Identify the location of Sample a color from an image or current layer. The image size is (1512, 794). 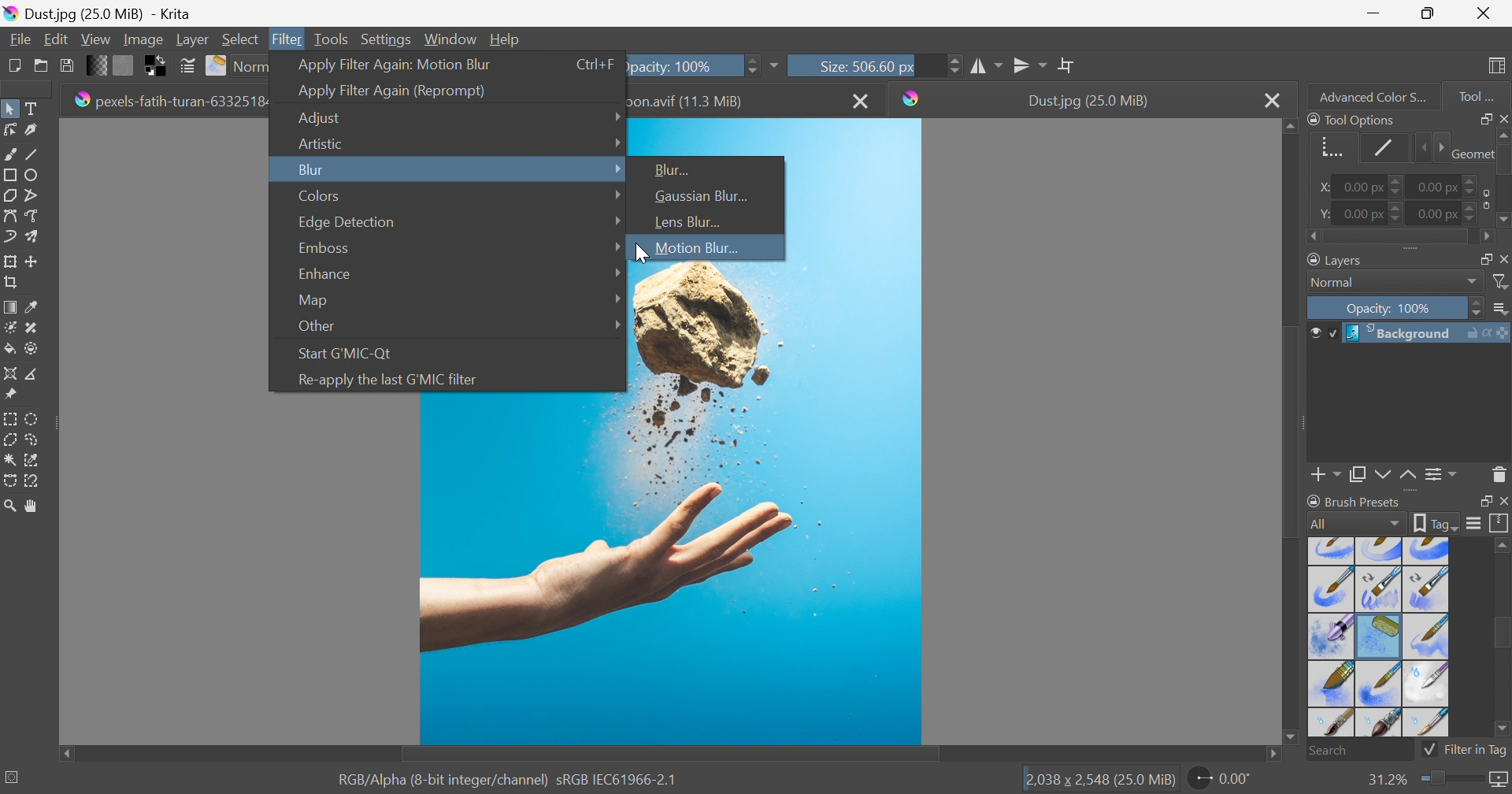
(32, 307).